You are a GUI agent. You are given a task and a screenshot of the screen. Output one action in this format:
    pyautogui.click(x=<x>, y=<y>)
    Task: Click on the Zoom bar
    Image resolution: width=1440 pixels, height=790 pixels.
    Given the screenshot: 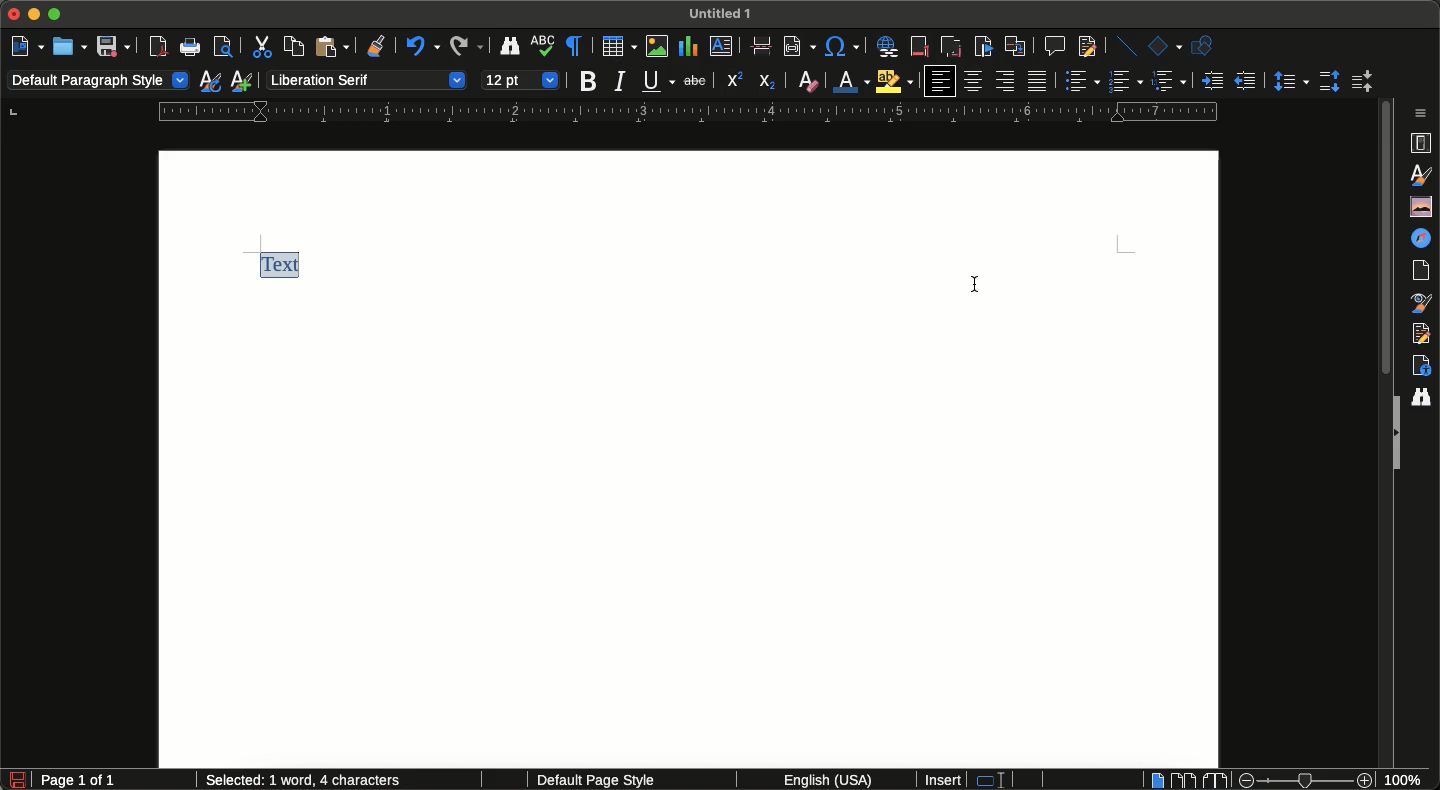 What is the action you would take?
    pyautogui.click(x=1304, y=780)
    